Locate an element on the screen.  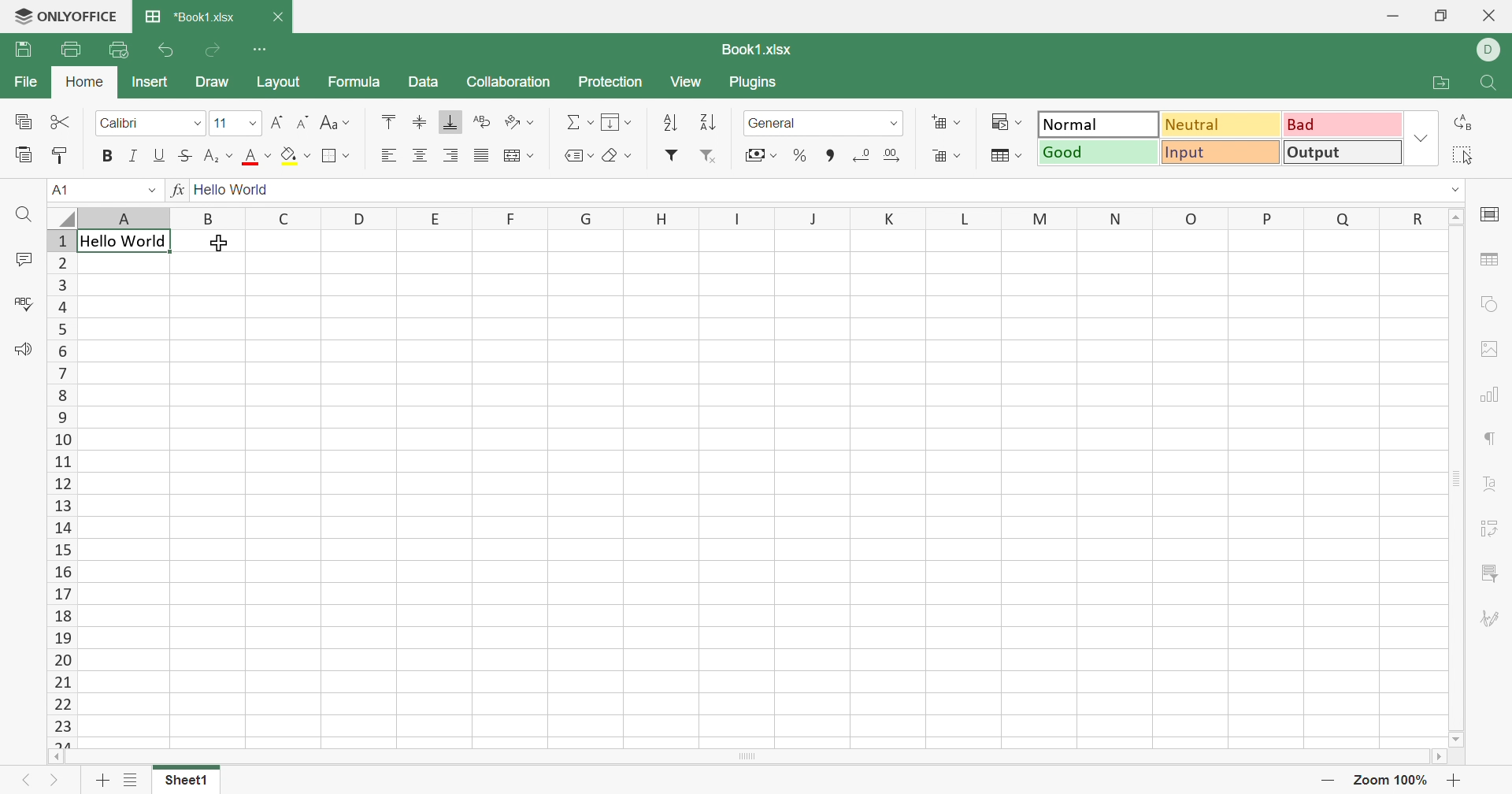
Output is located at coordinates (1343, 151).